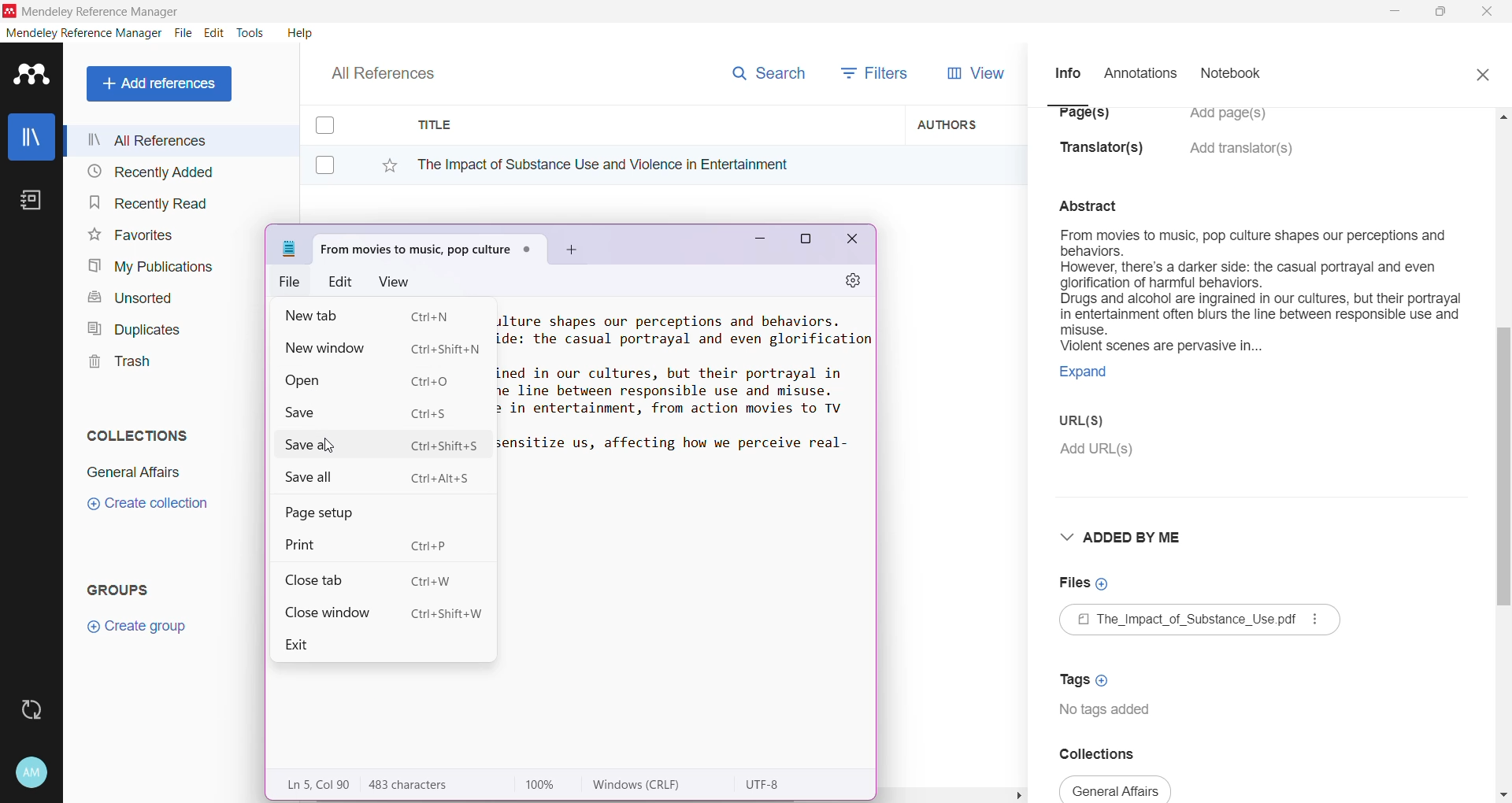 The height and width of the screenshot is (803, 1512). Describe the element at coordinates (370, 317) in the screenshot. I see `New Tab` at that location.